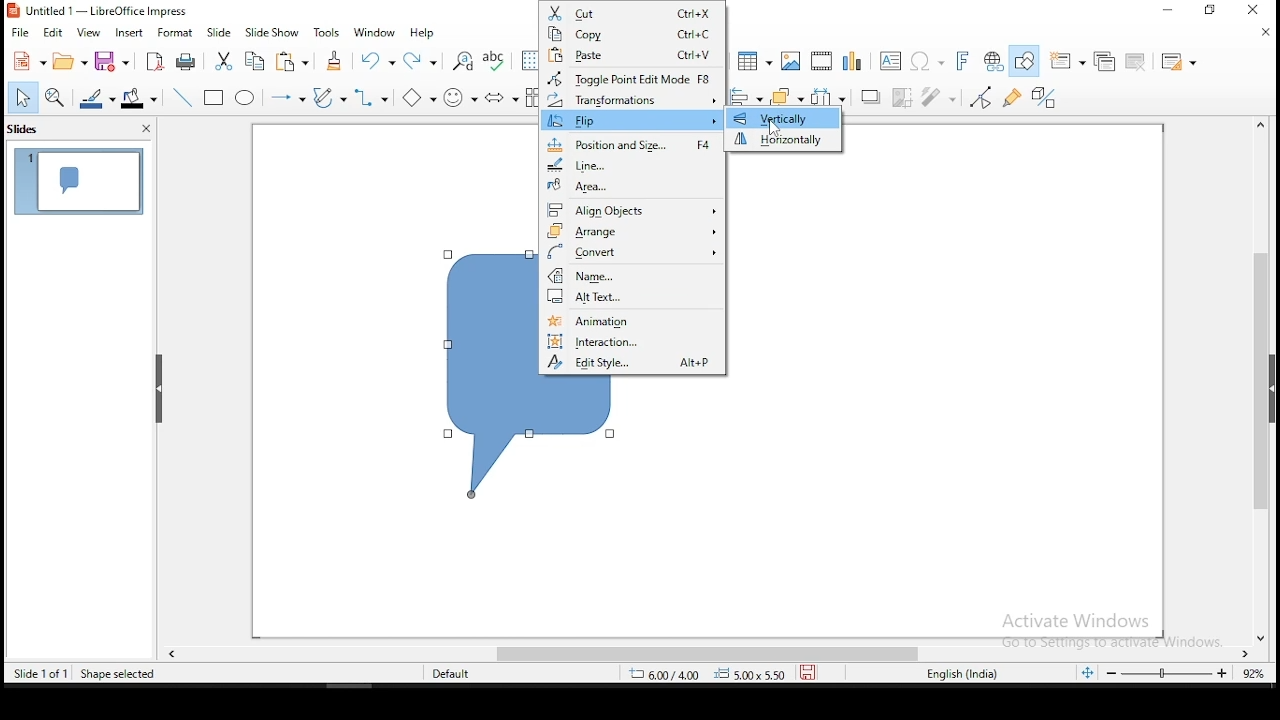  What do you see at coordinates (892, 62) in the screenshot?
I see `text box` at bounding box center [892, 62].